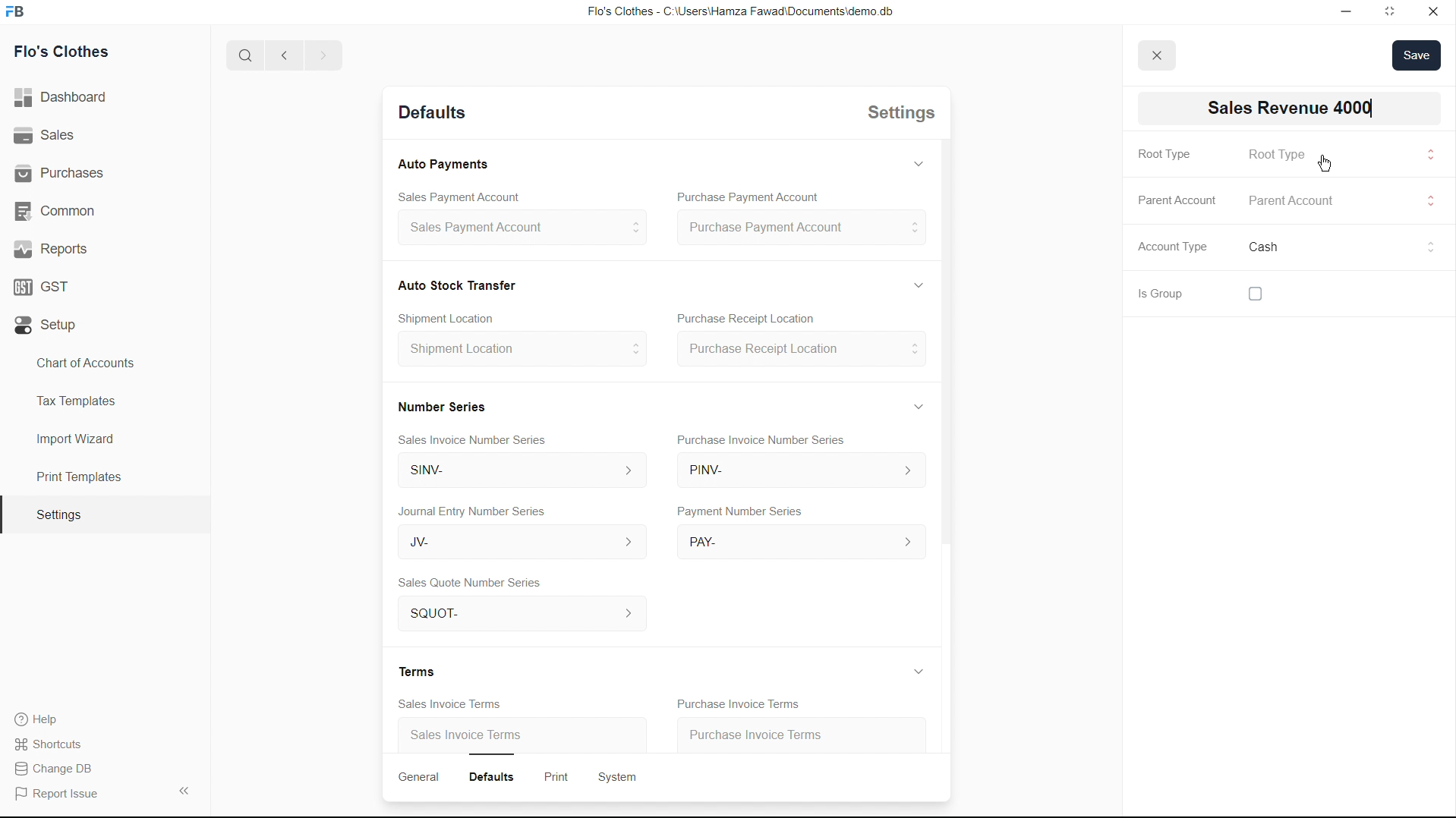 The width and height of the screenshot is (1456, 818). Describe the element at coordinates (764, 319) in the screenshot. I see `Purchase Receipt Location` at that location.